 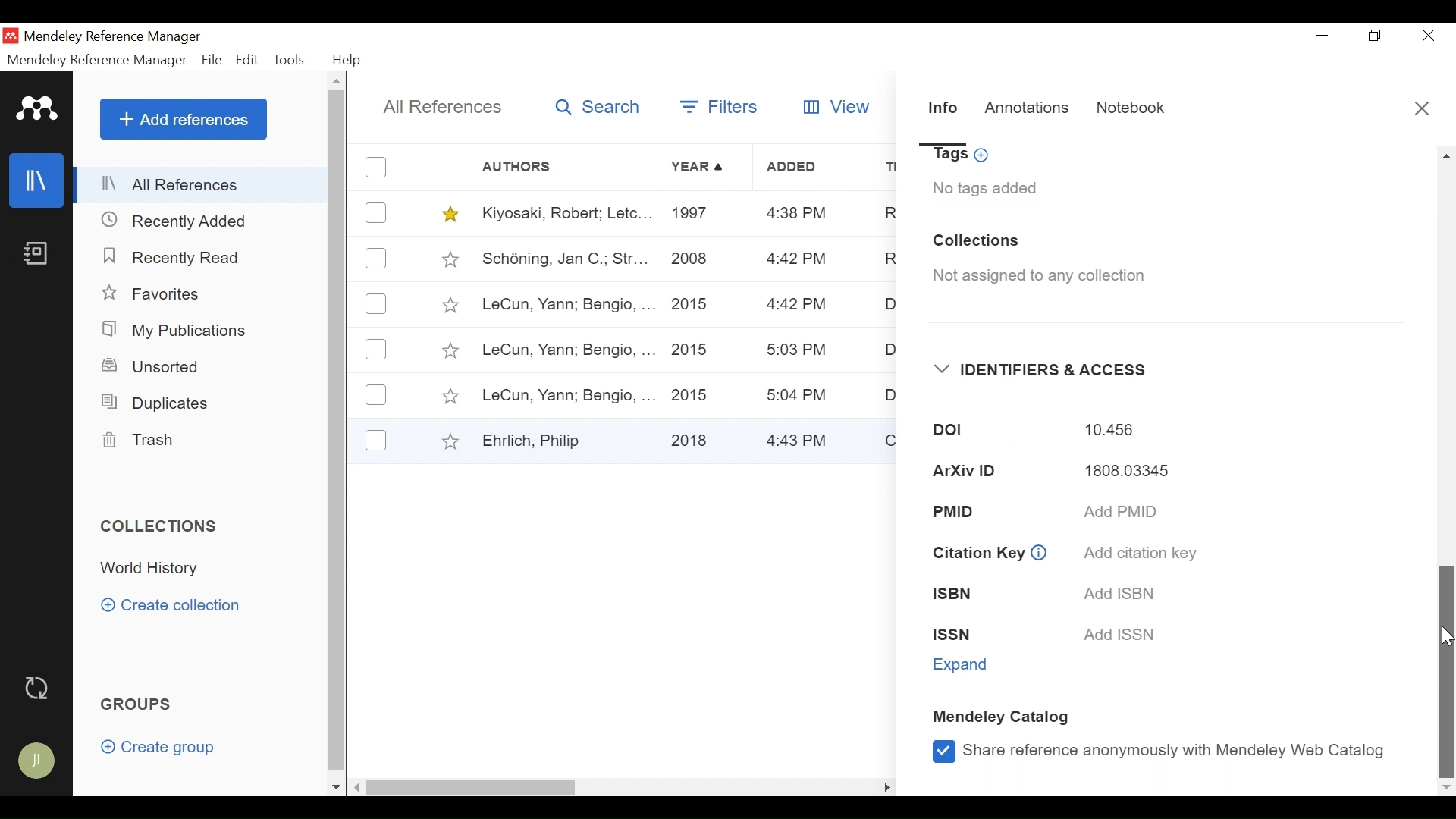 What do you see at coordinates (183, 119) in the screenshot?
I see `Add References` at bounding box center [183, 119].